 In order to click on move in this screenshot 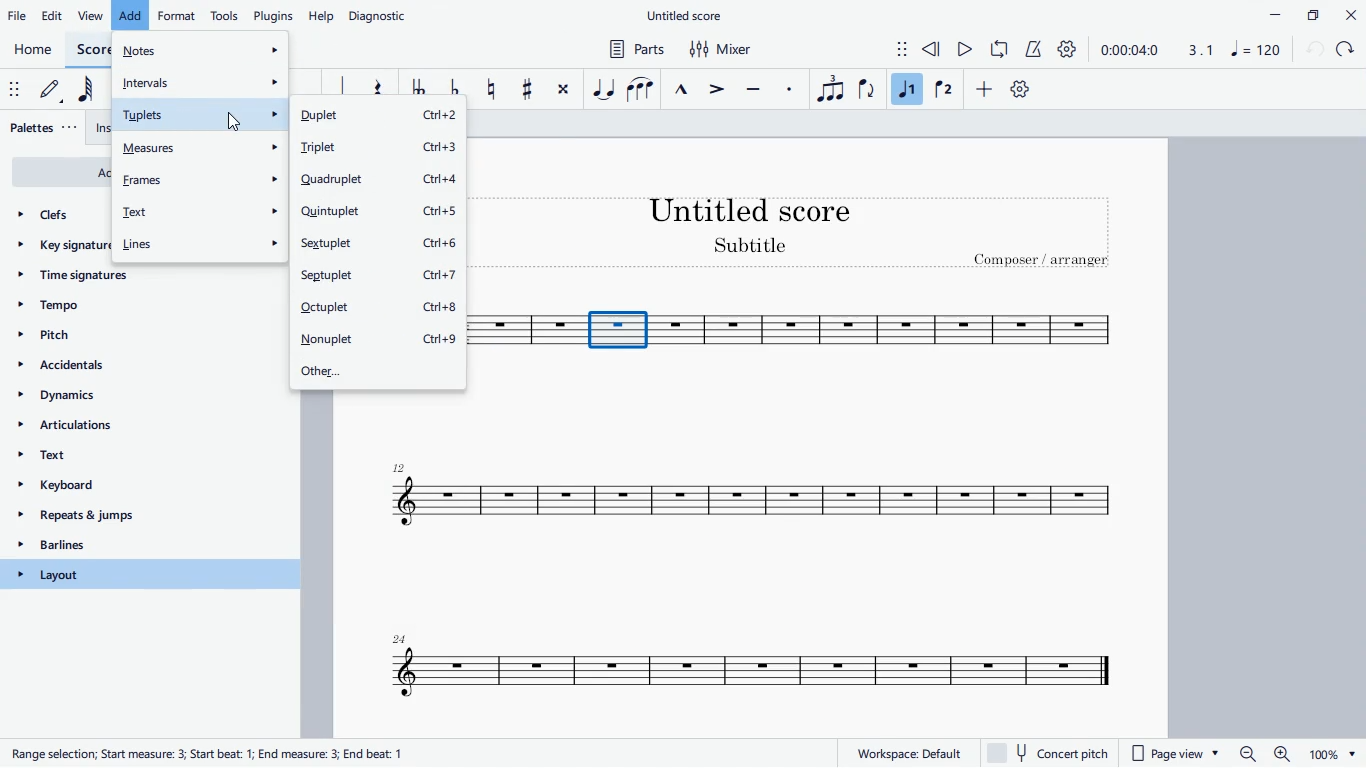, I will do `click(13, 89)`.